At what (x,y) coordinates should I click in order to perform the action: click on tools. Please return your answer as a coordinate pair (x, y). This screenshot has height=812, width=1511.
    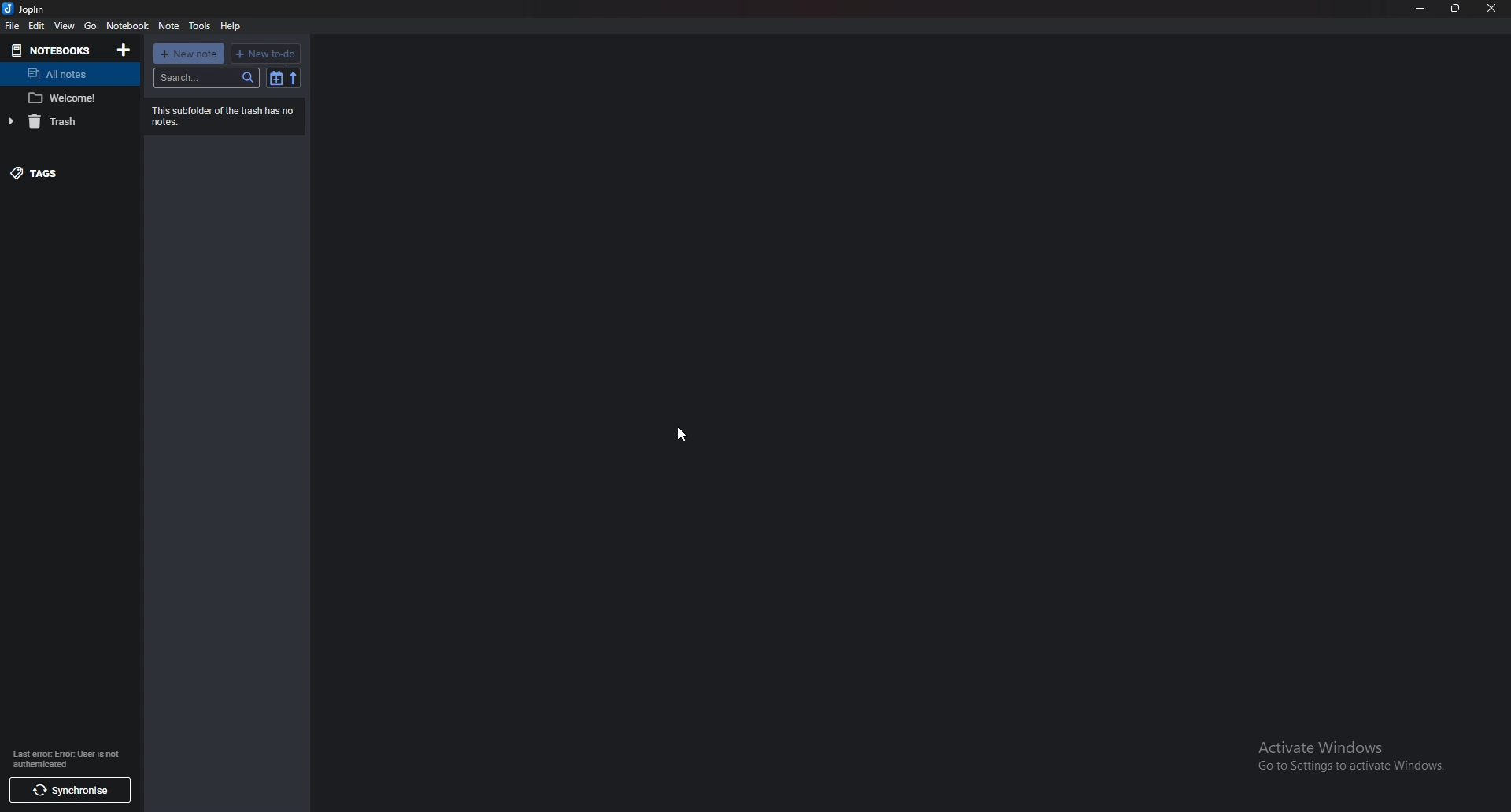
    Looking at the image, I should click on (201, 25).